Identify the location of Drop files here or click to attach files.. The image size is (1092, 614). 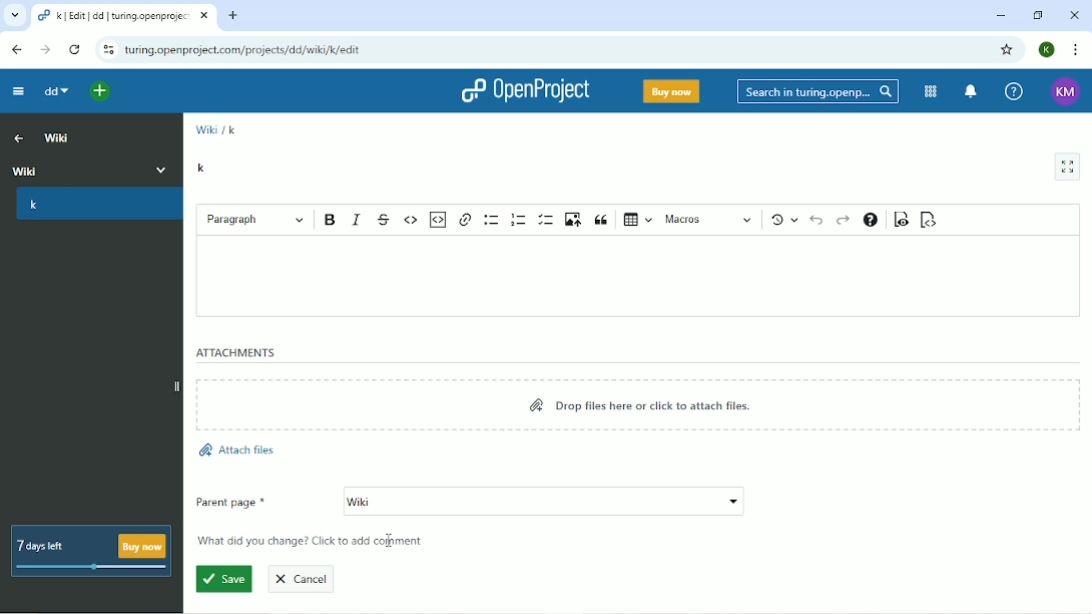
(643, 405).